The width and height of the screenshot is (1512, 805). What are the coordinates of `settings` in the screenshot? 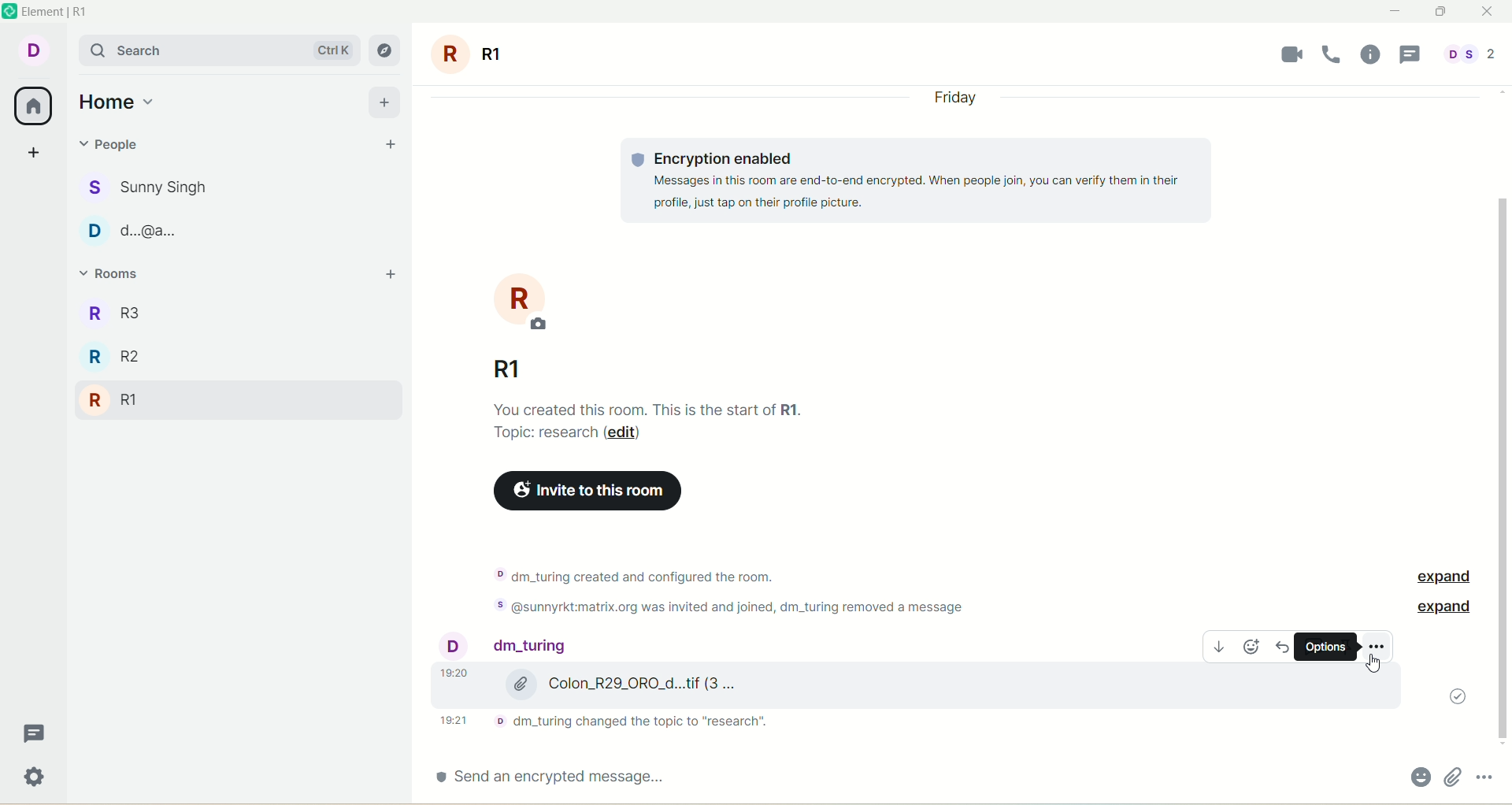 It's located at (36, 779).